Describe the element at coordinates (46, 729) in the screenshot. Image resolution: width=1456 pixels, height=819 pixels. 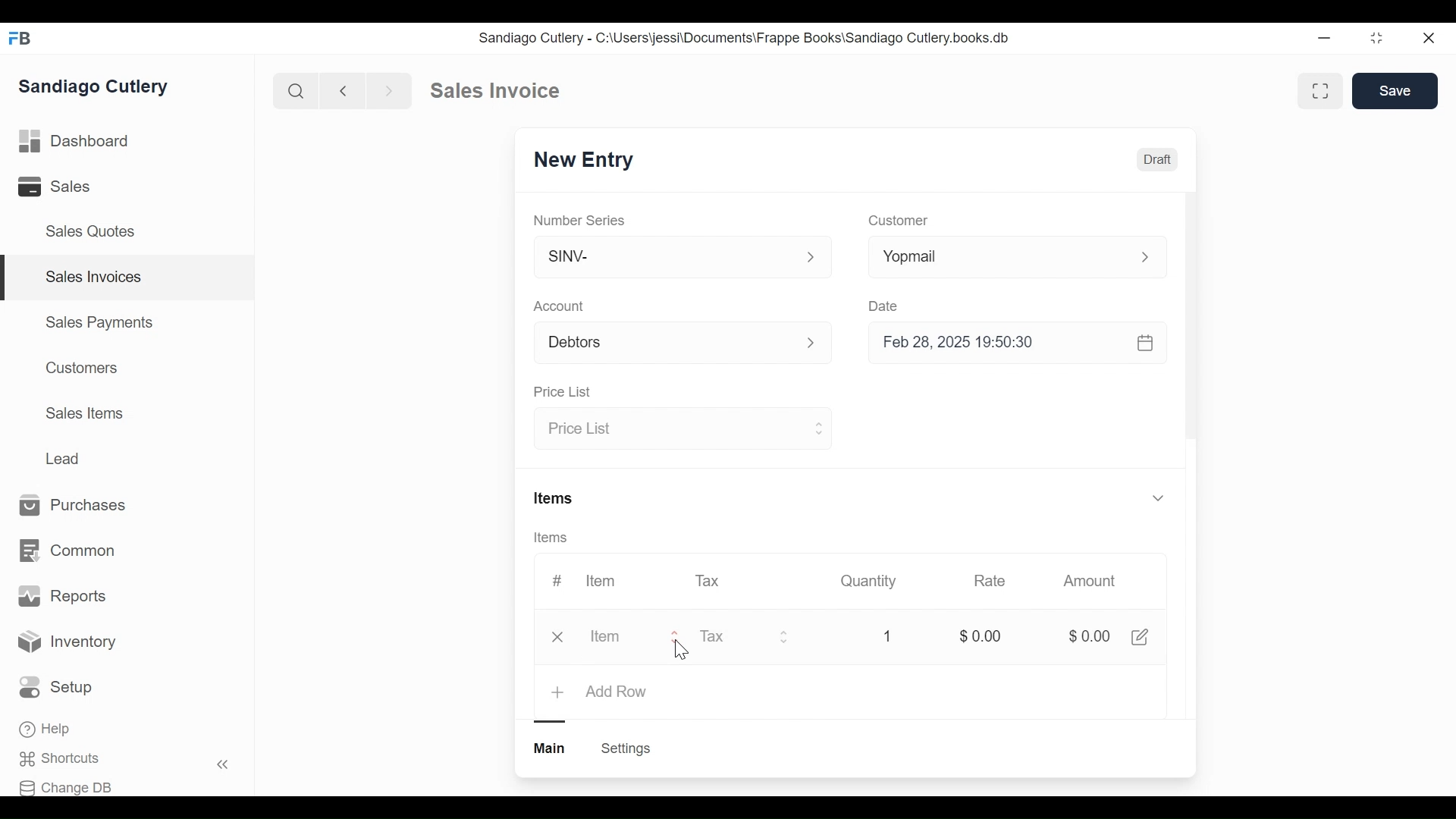
I see `Help` at that location.